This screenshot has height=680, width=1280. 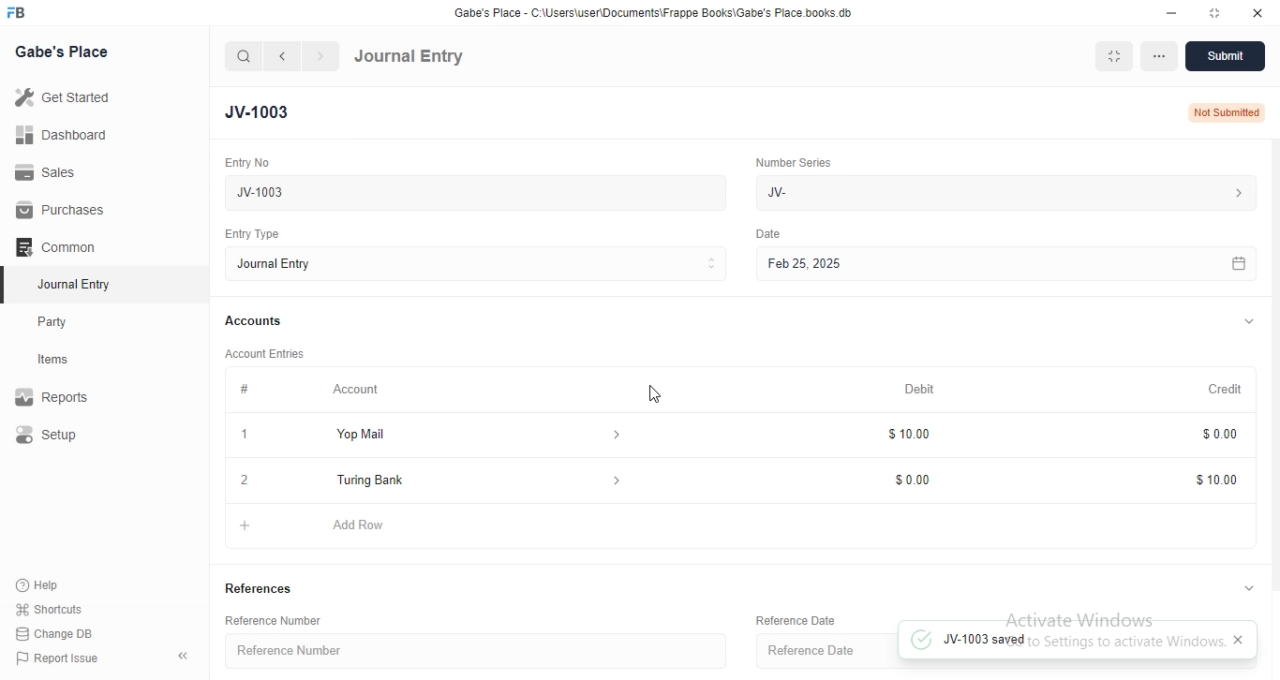 I want to click on Number Series, so click(x=793, y=164).